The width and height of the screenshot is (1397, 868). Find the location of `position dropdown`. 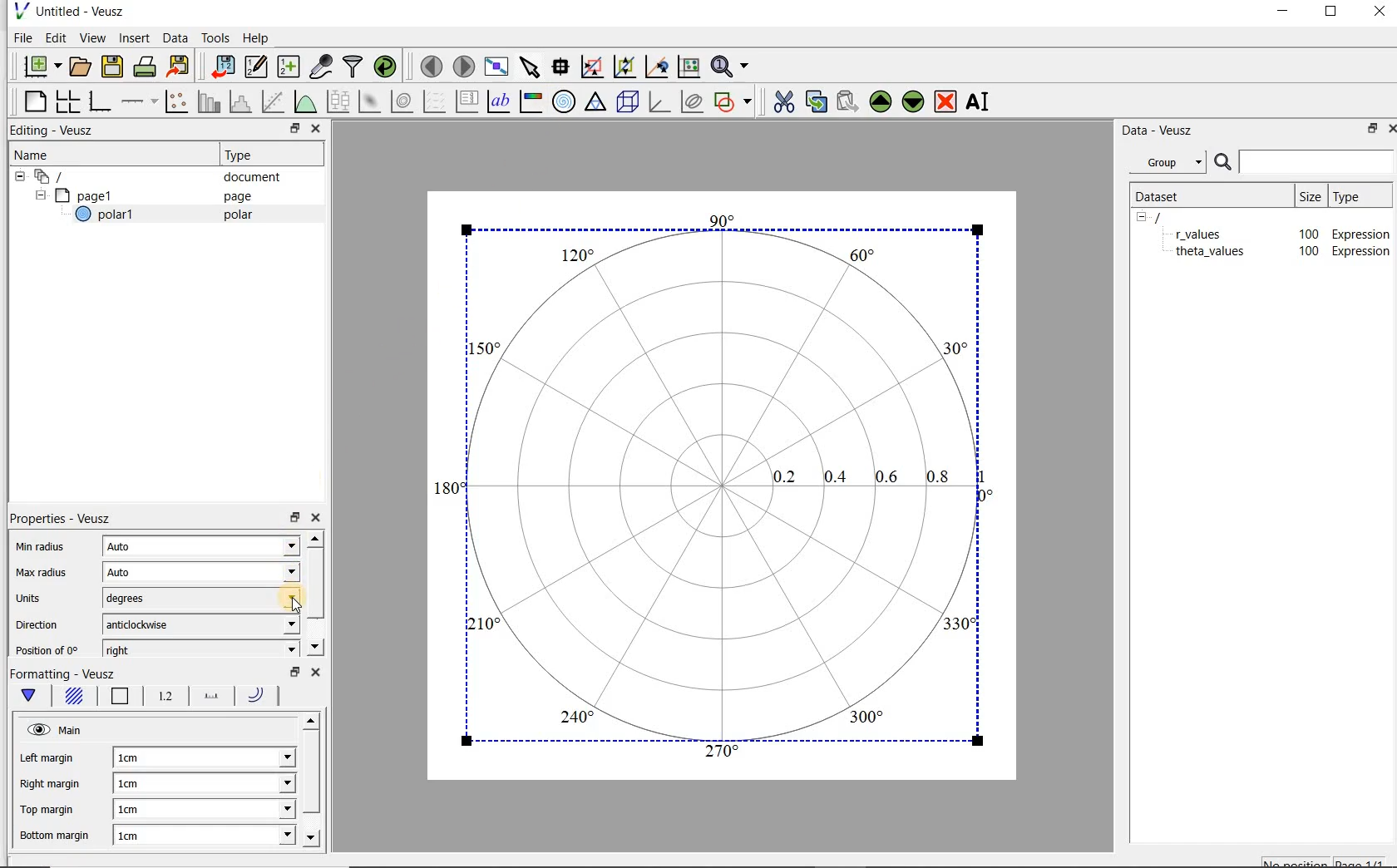

position dropdown is located at coordinates (265, 648).